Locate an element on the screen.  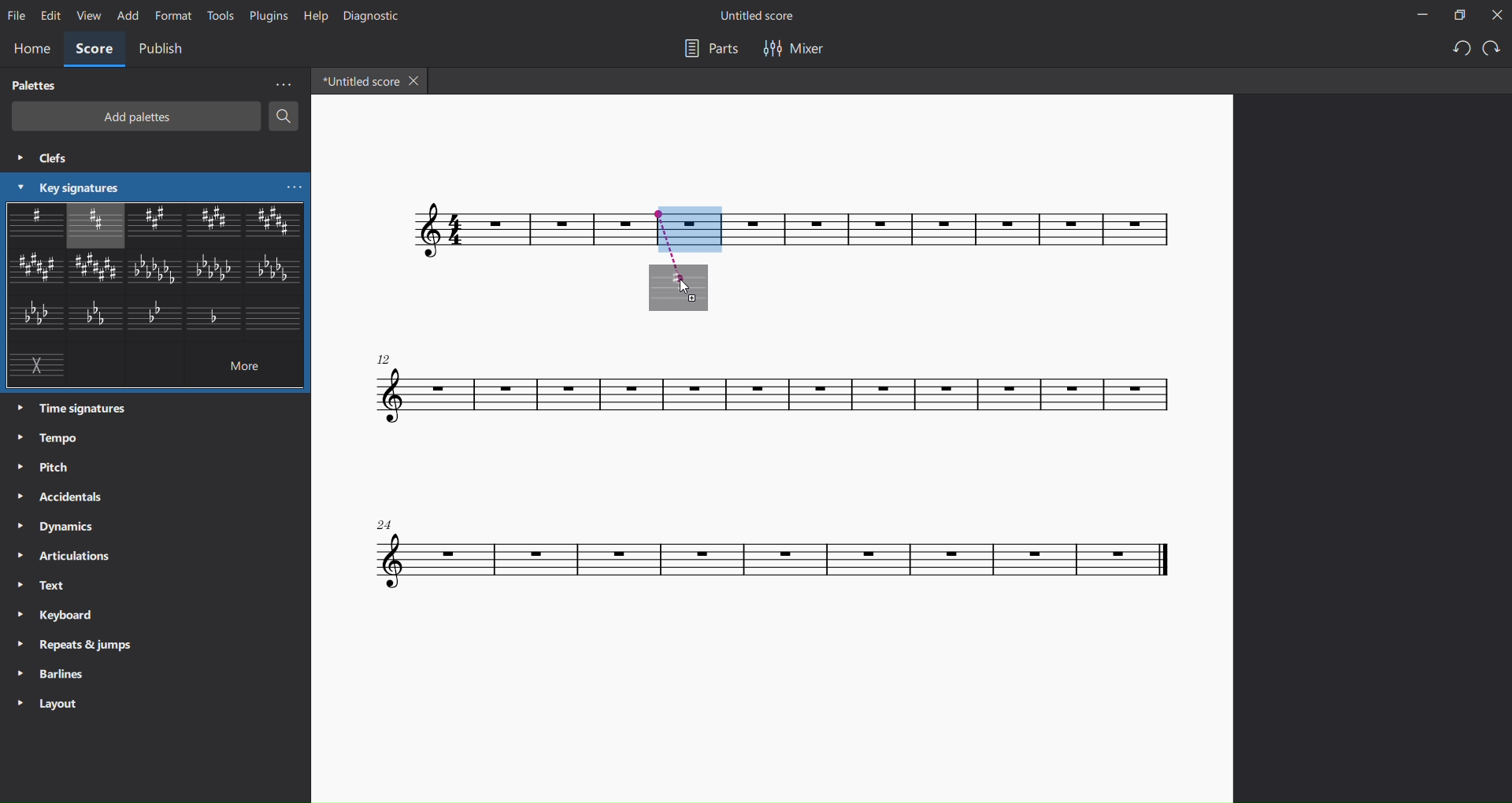
tab name is located at coordinates (360, 82).